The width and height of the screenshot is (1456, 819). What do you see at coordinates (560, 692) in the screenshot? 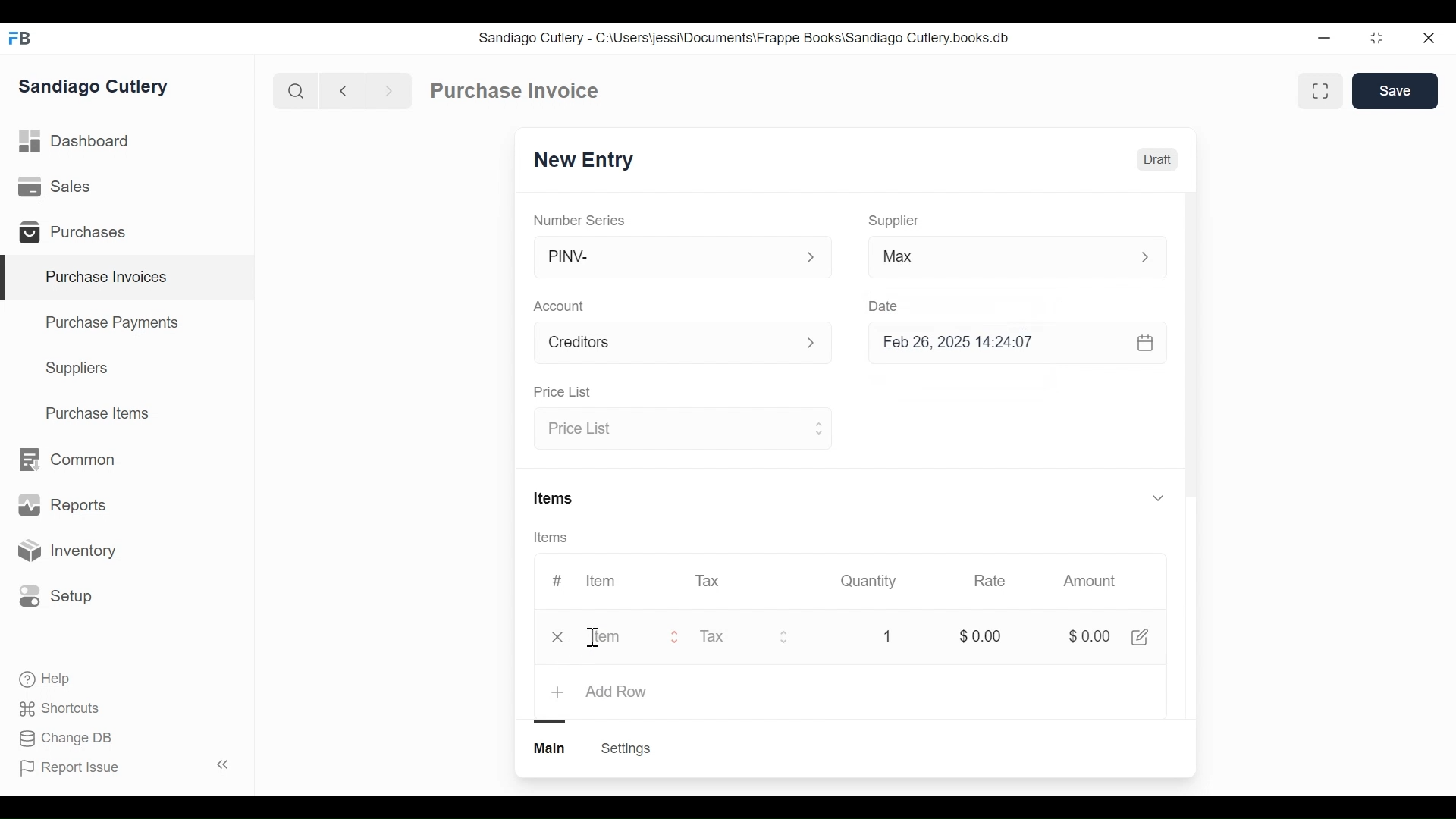
I see `+` at bounding box center [560, 692].